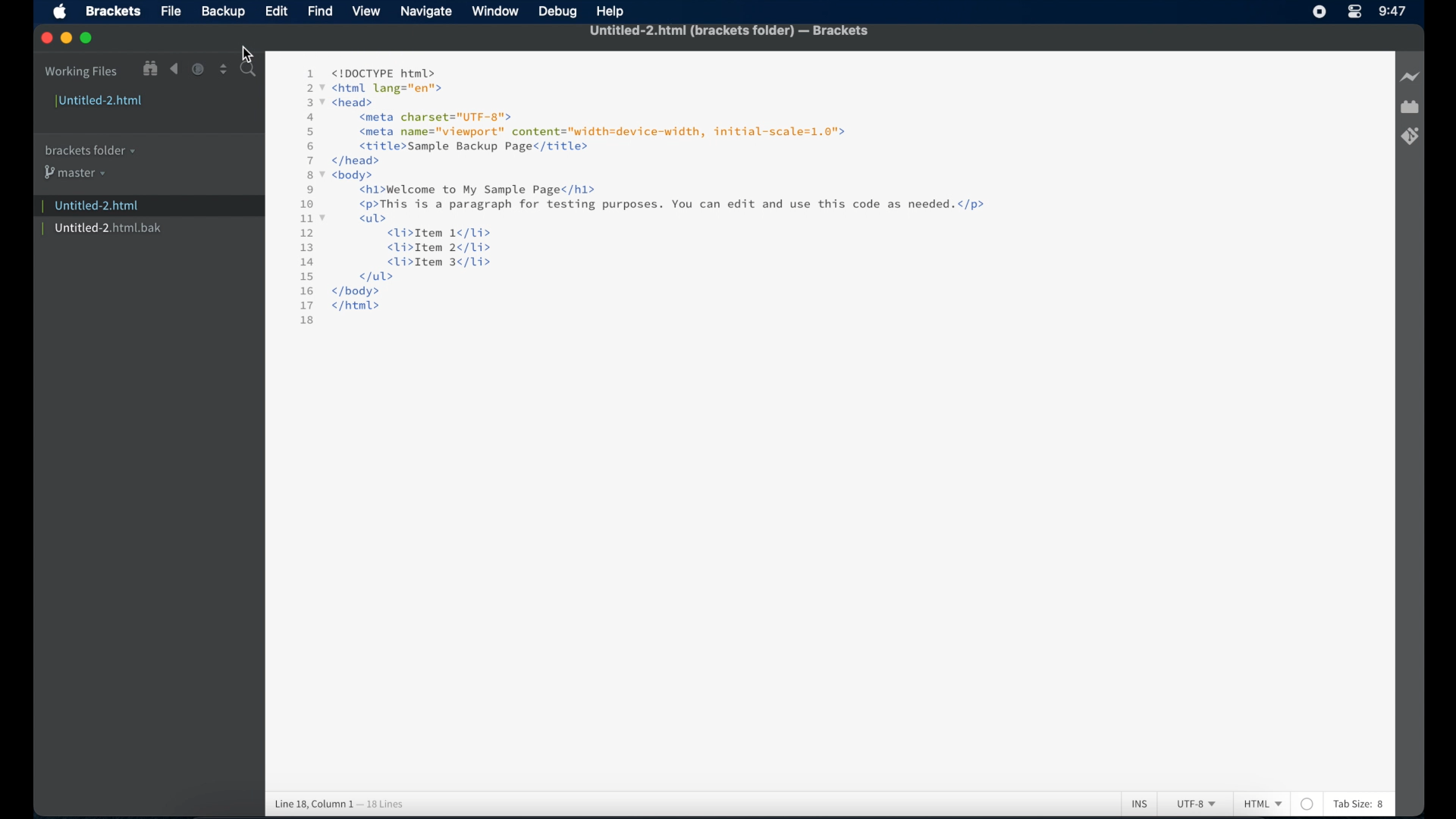  What do you see at coordinates (1197, 804) in the screenshot?
I see `utf-8` at bounding box center [1197, 804].